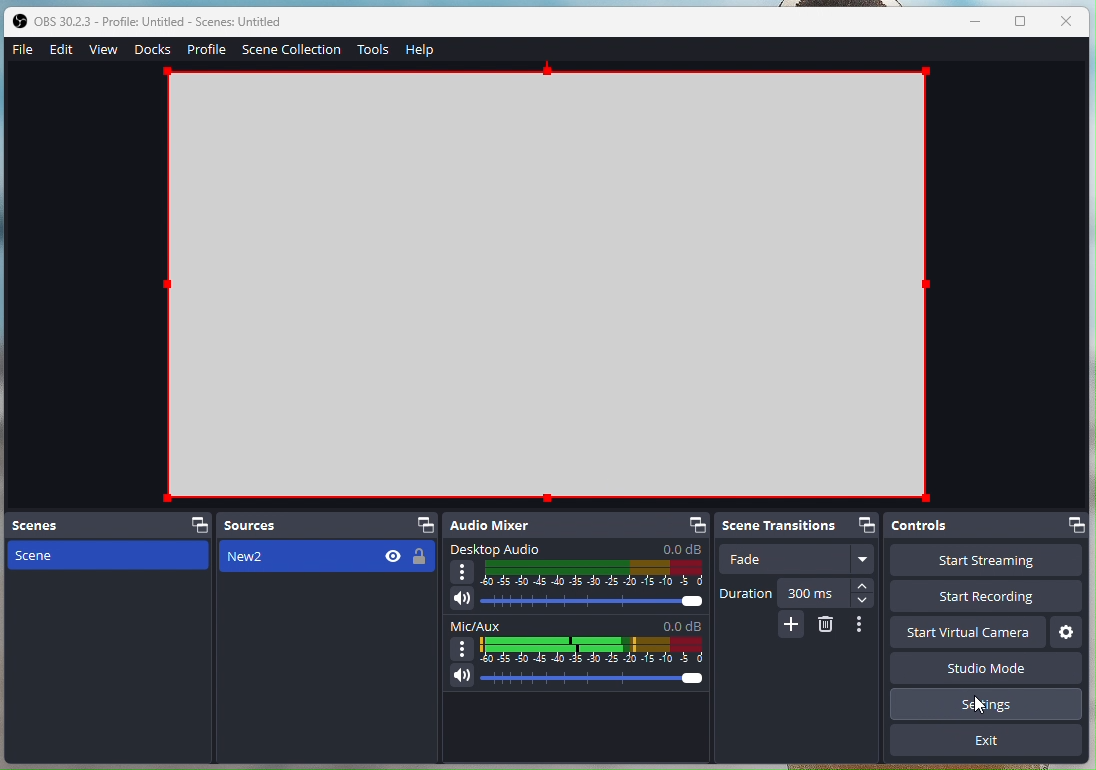  I want to click on scenes, so click(106, 558).